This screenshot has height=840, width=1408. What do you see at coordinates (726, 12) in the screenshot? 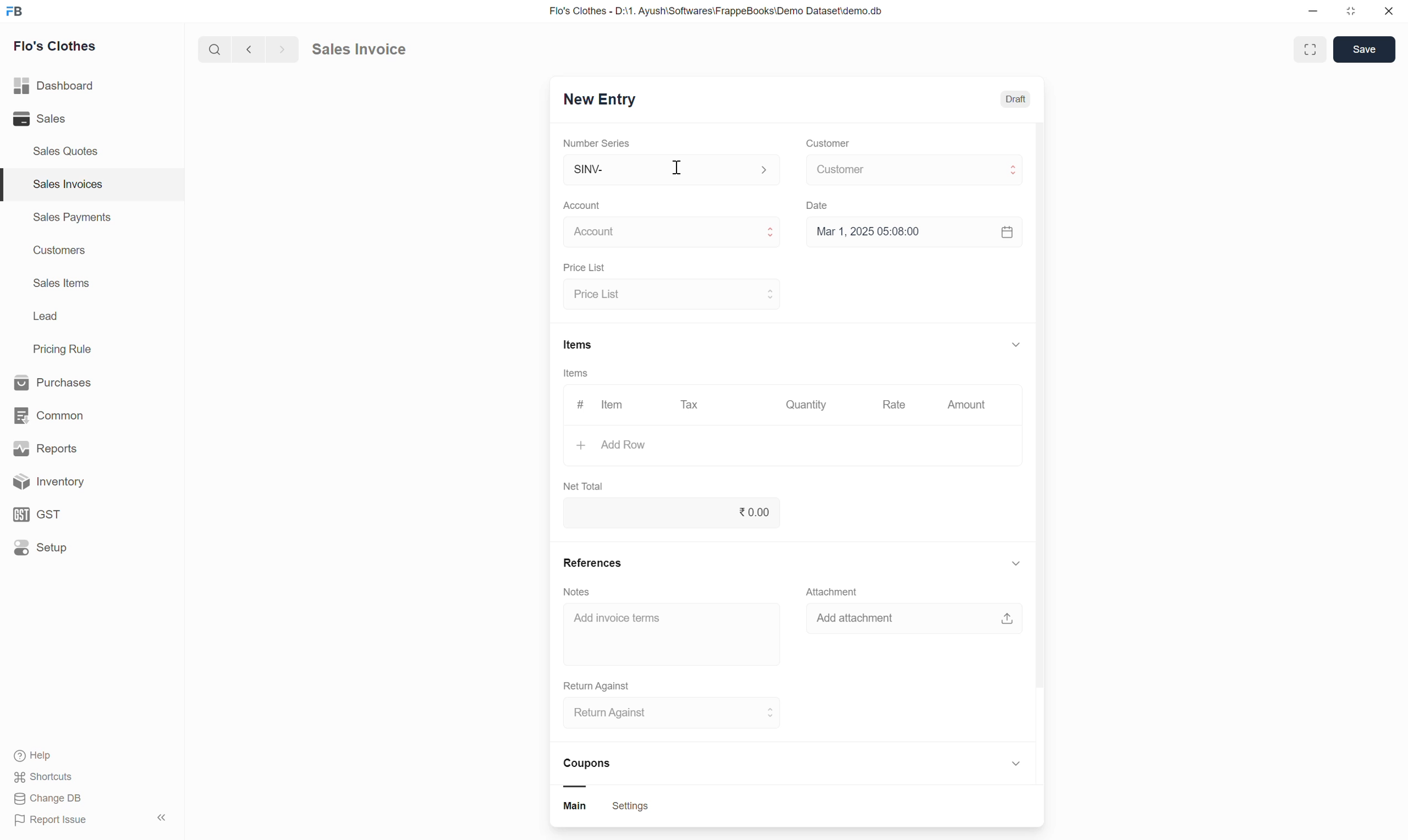
I see `Flo's Clothes - D:\1. Ayush\Softwares\FrappeBooks\Demo Dataset\demo.db` at bounding box center [726, 12].